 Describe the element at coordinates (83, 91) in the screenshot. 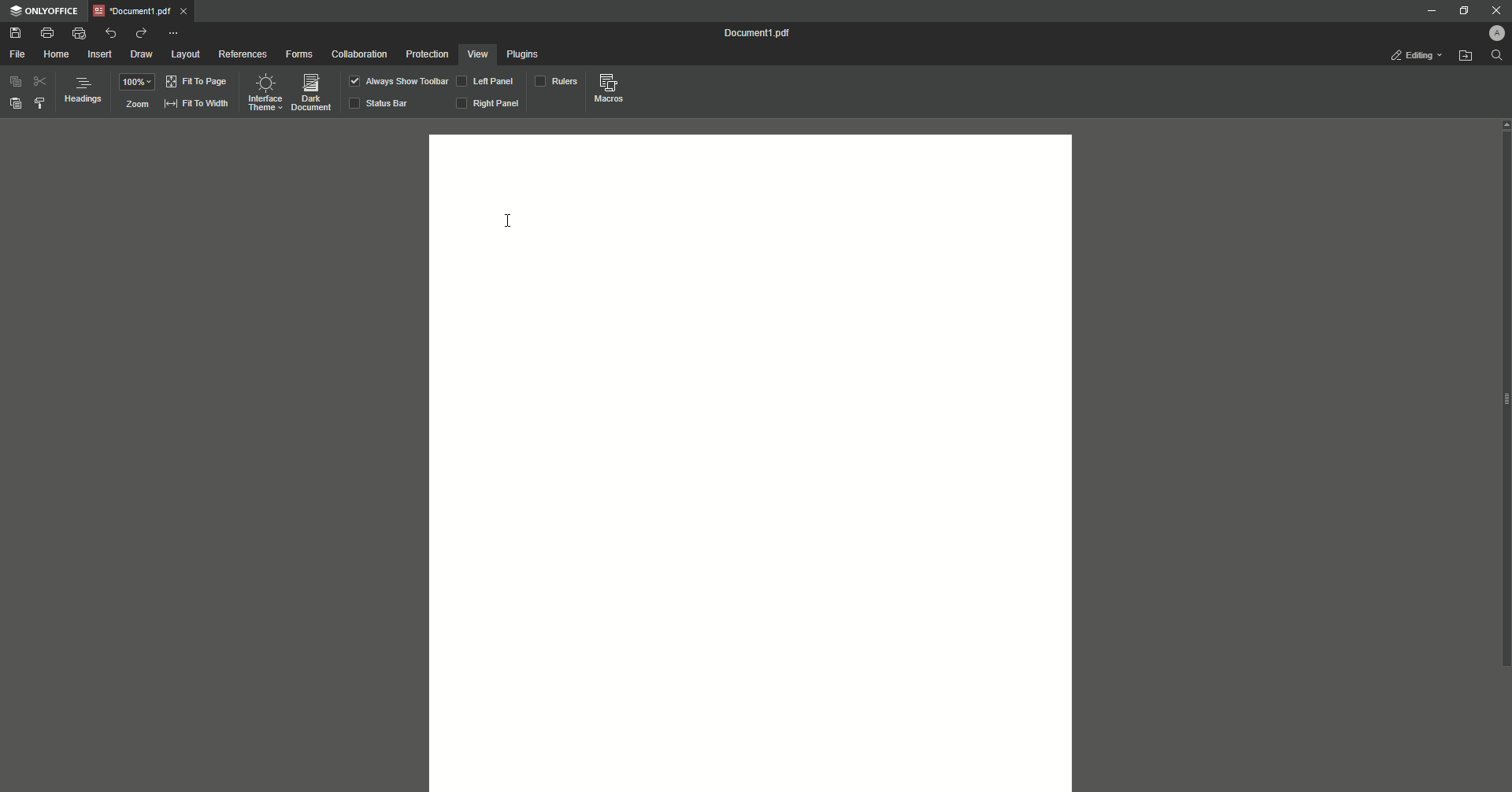

I see `Headings` at that location.